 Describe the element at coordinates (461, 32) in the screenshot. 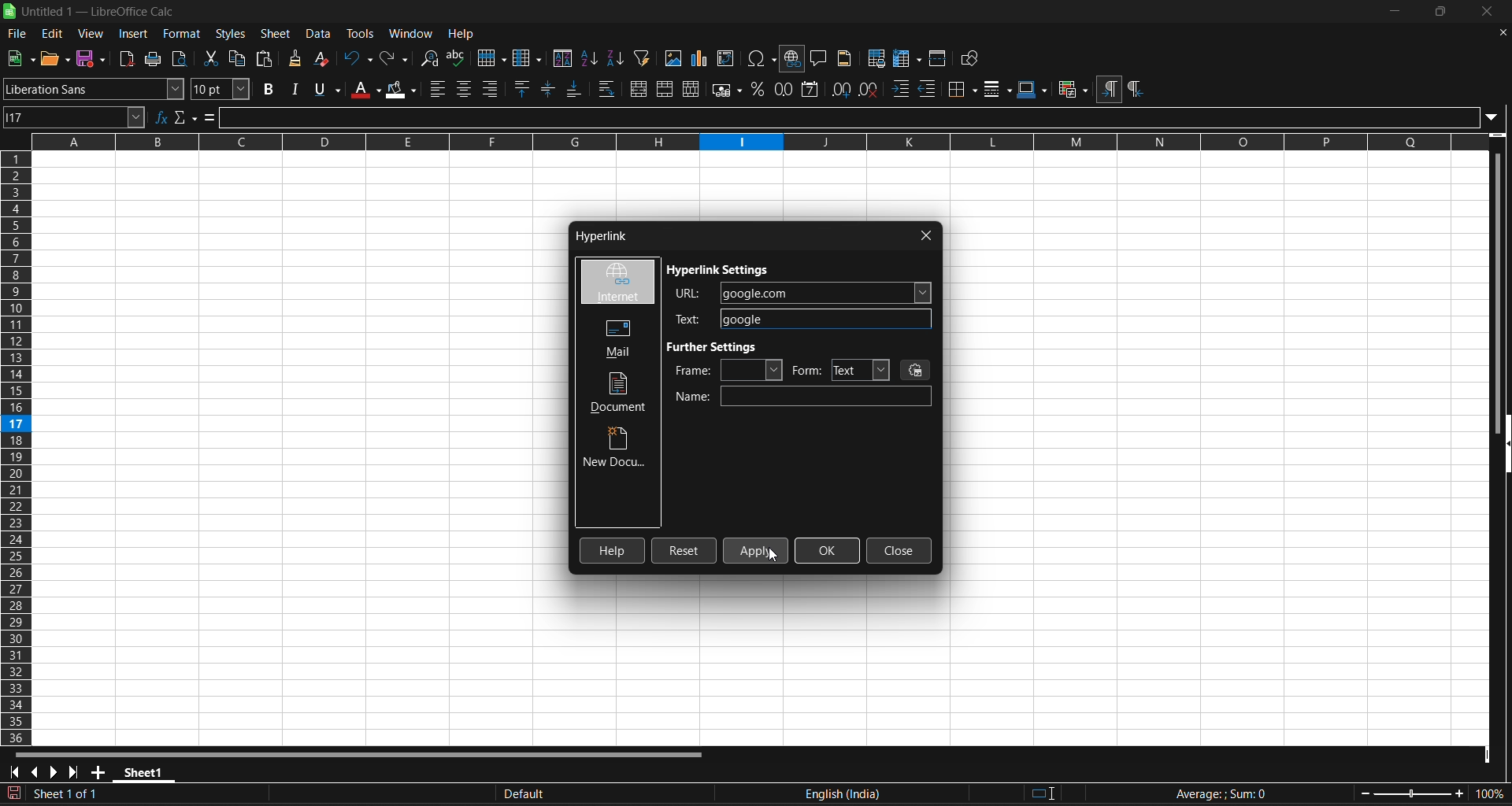

I see `help` at that location.